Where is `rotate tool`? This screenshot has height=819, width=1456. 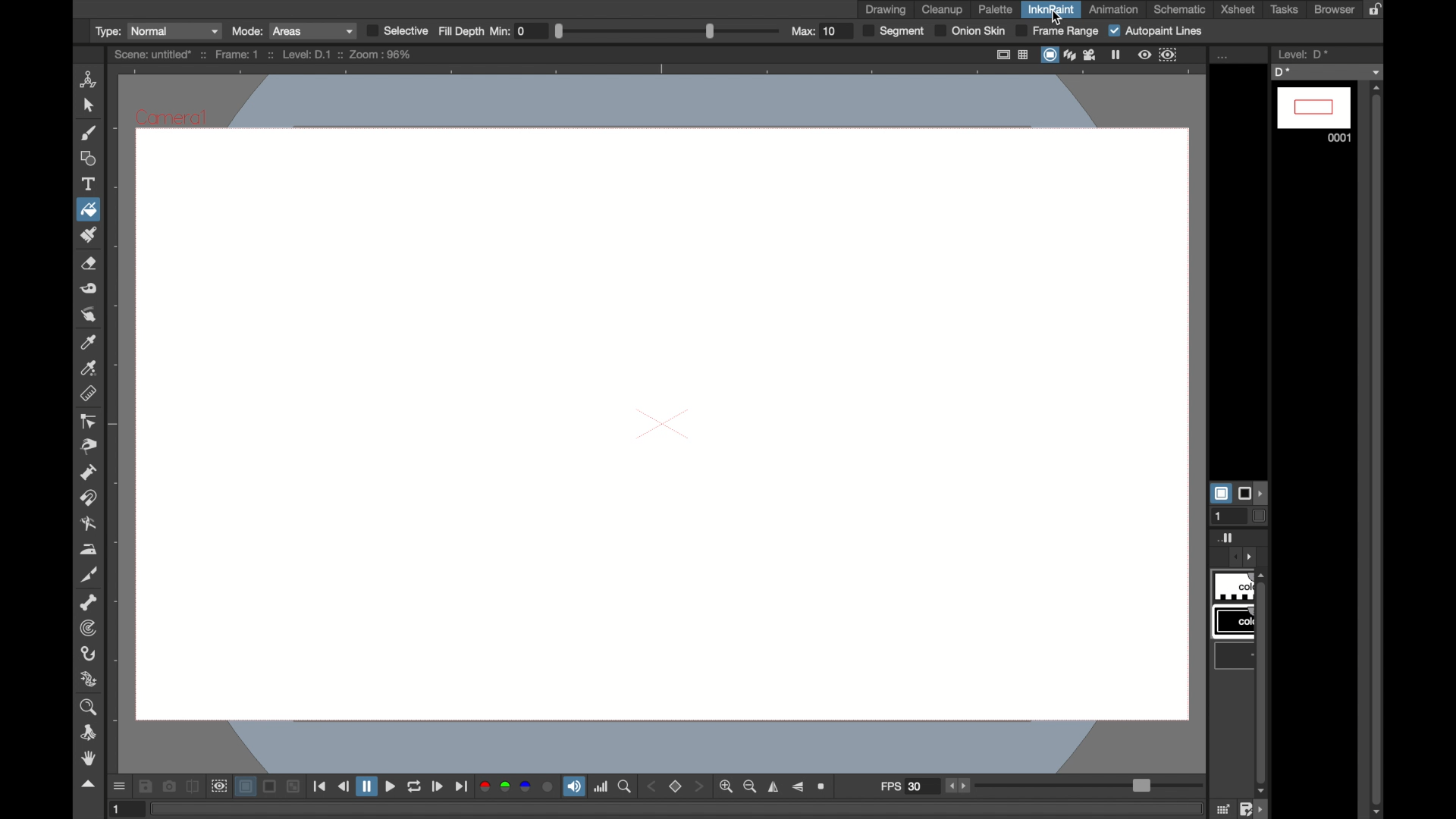 rotate tool is located at coordinates (89, 733).